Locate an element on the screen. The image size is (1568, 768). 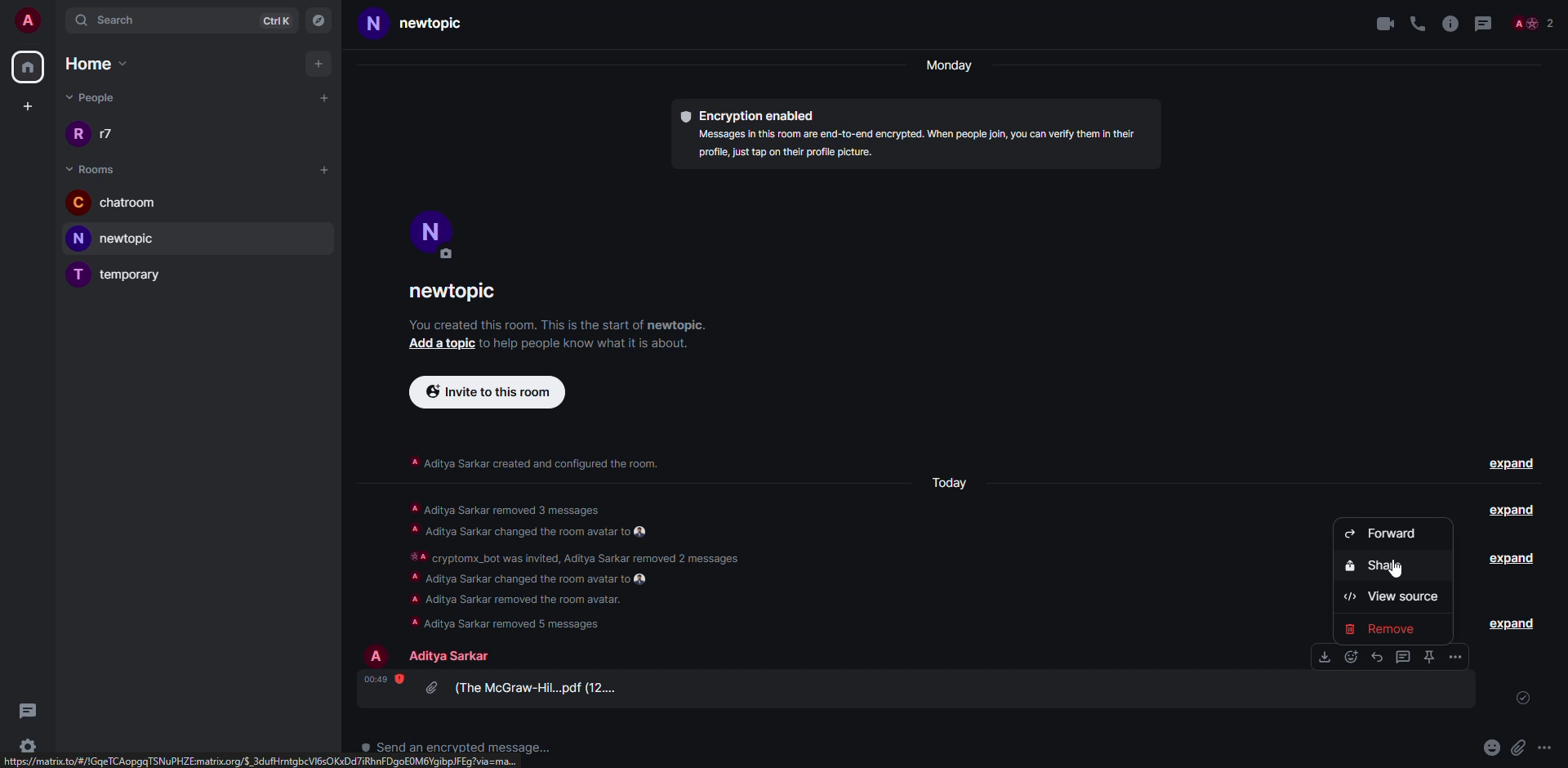
ctrlK is located at coordinates (278, 19).